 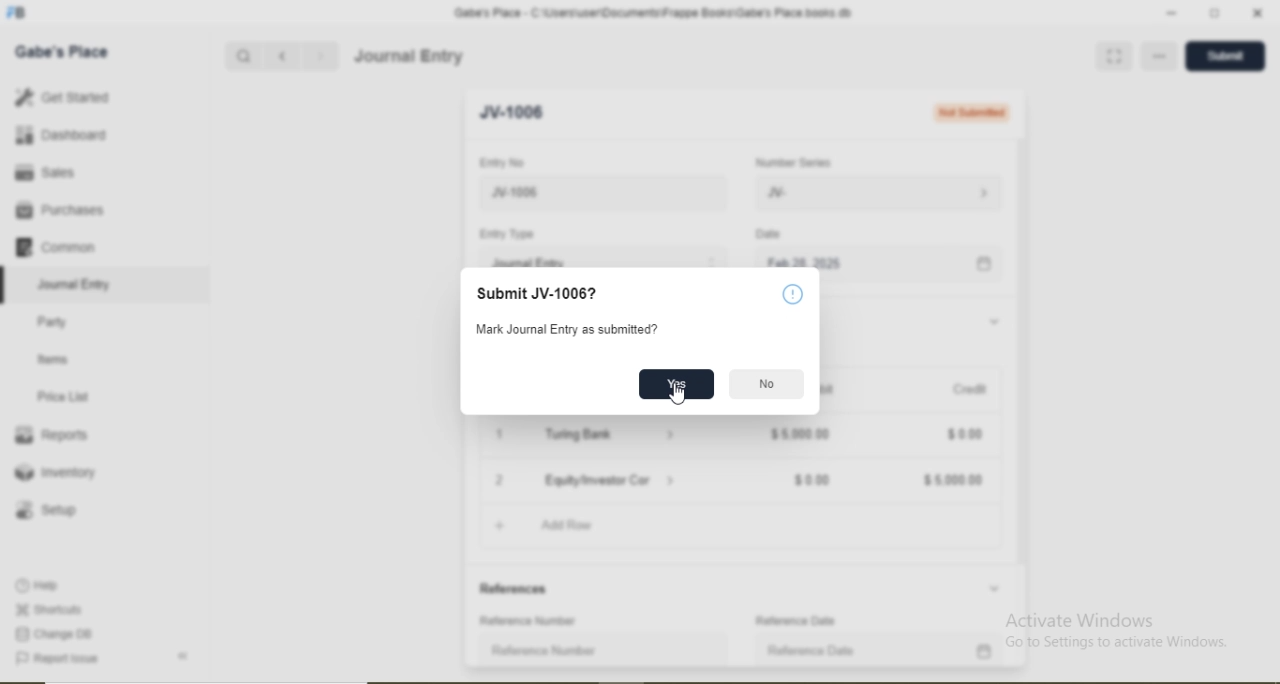 What do you see at coordinates (813, 481) in the screenshot?
I see `$0.00` at bounding box center [813, 481].